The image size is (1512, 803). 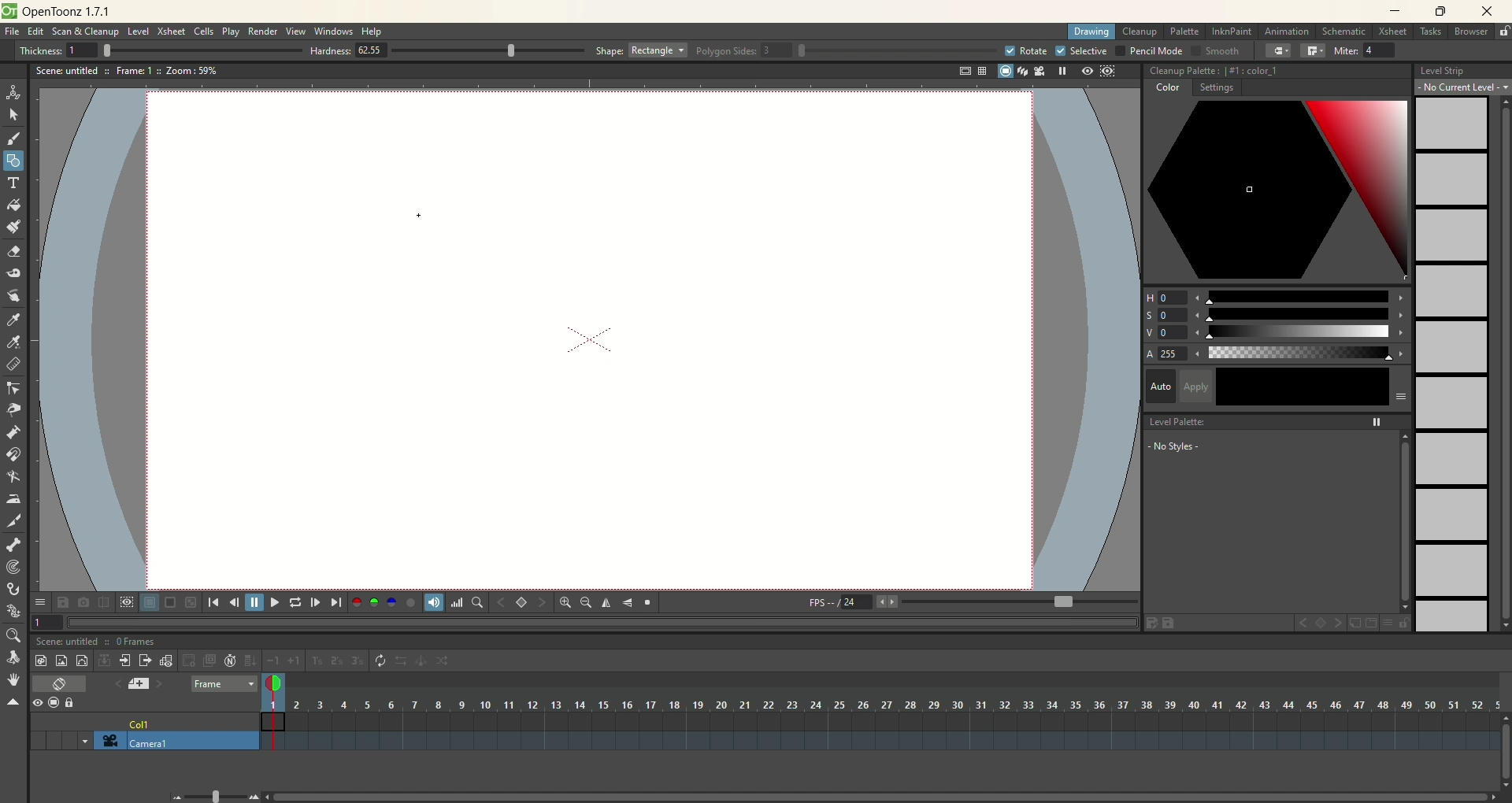 I want to click on col1, so click(x=141, y=720).